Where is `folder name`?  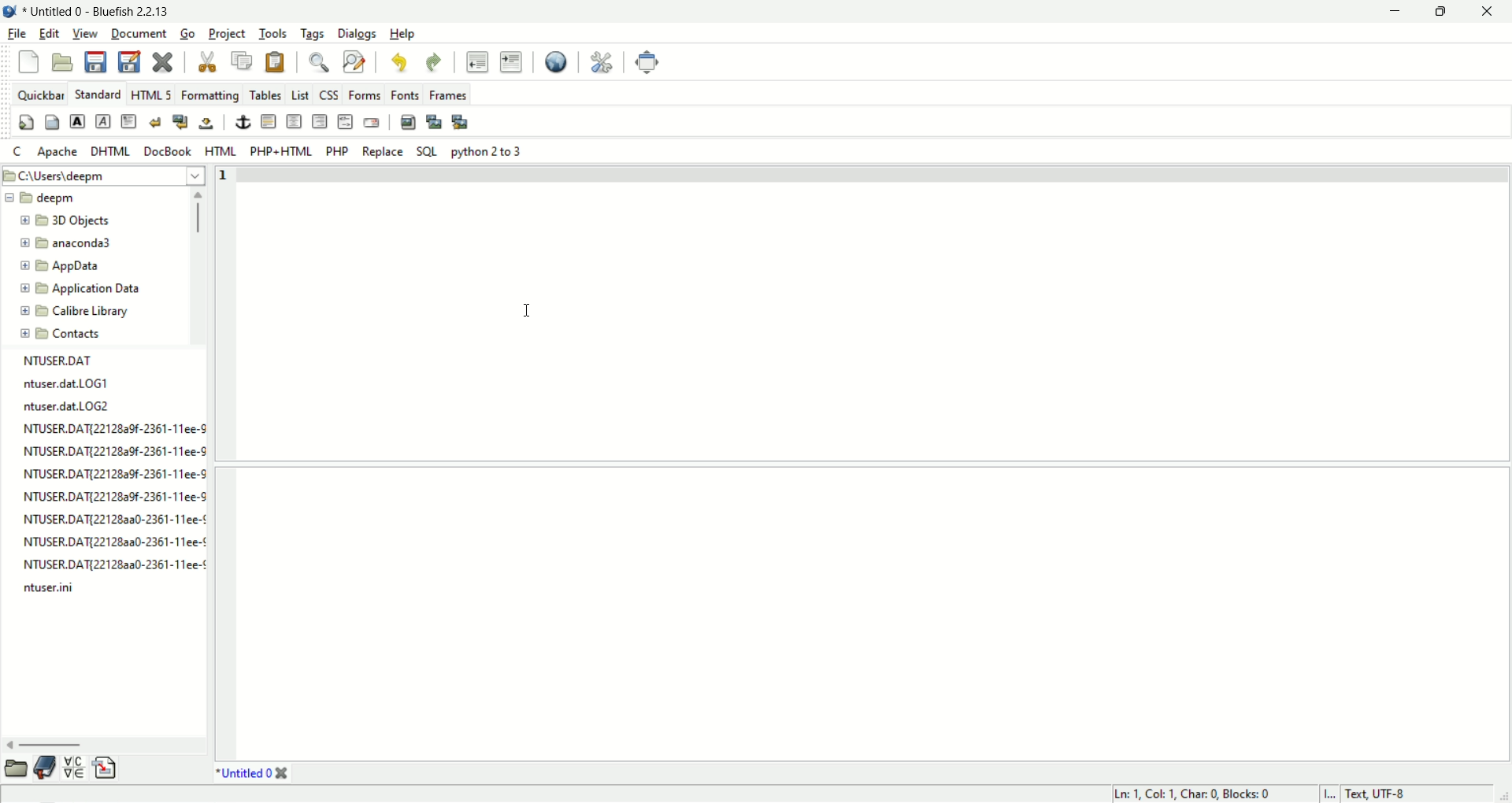
folder name is located at coordinates (64, 242).